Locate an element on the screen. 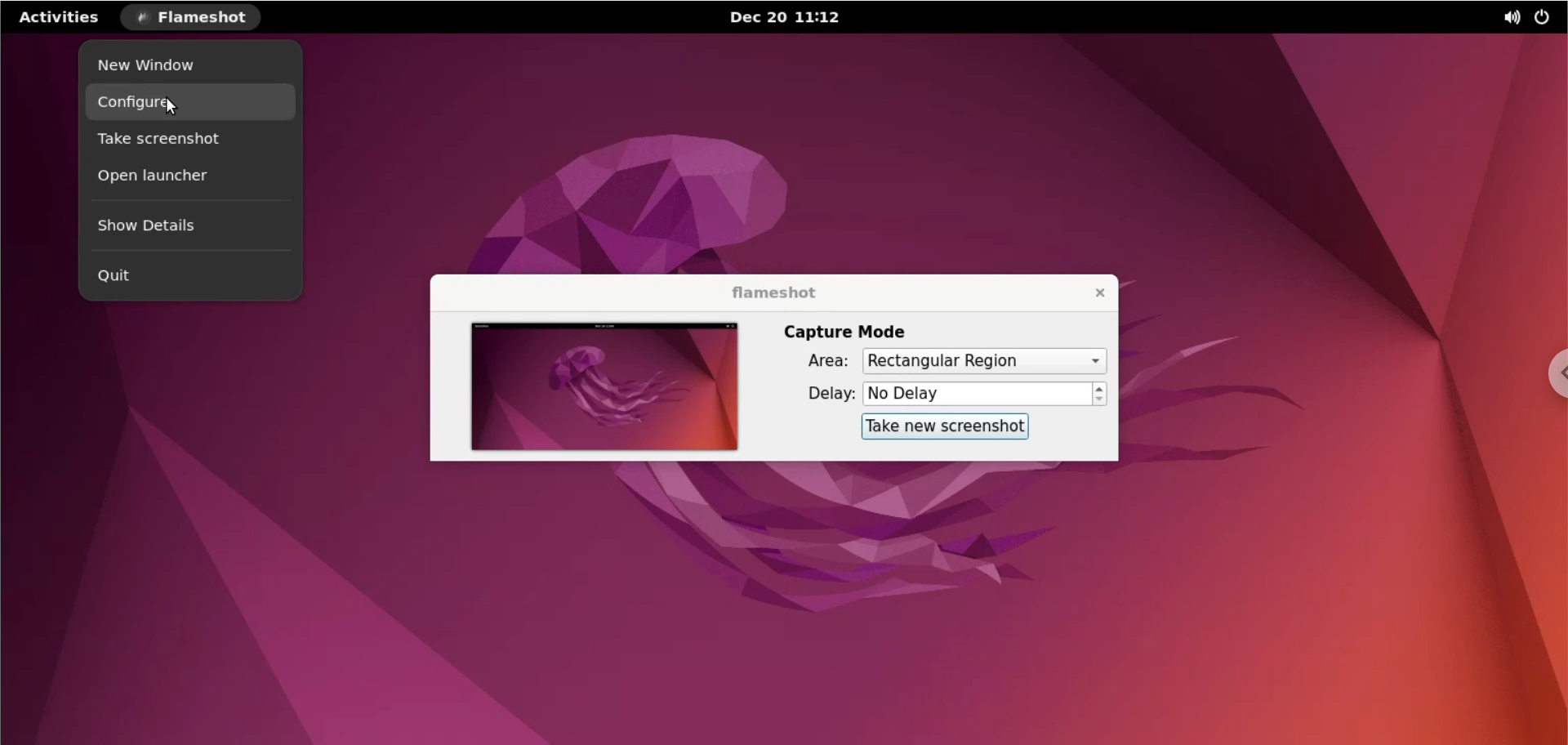 The width and height of the screenshot is (1568, 745). cursor is located at coordinates (170, 106).